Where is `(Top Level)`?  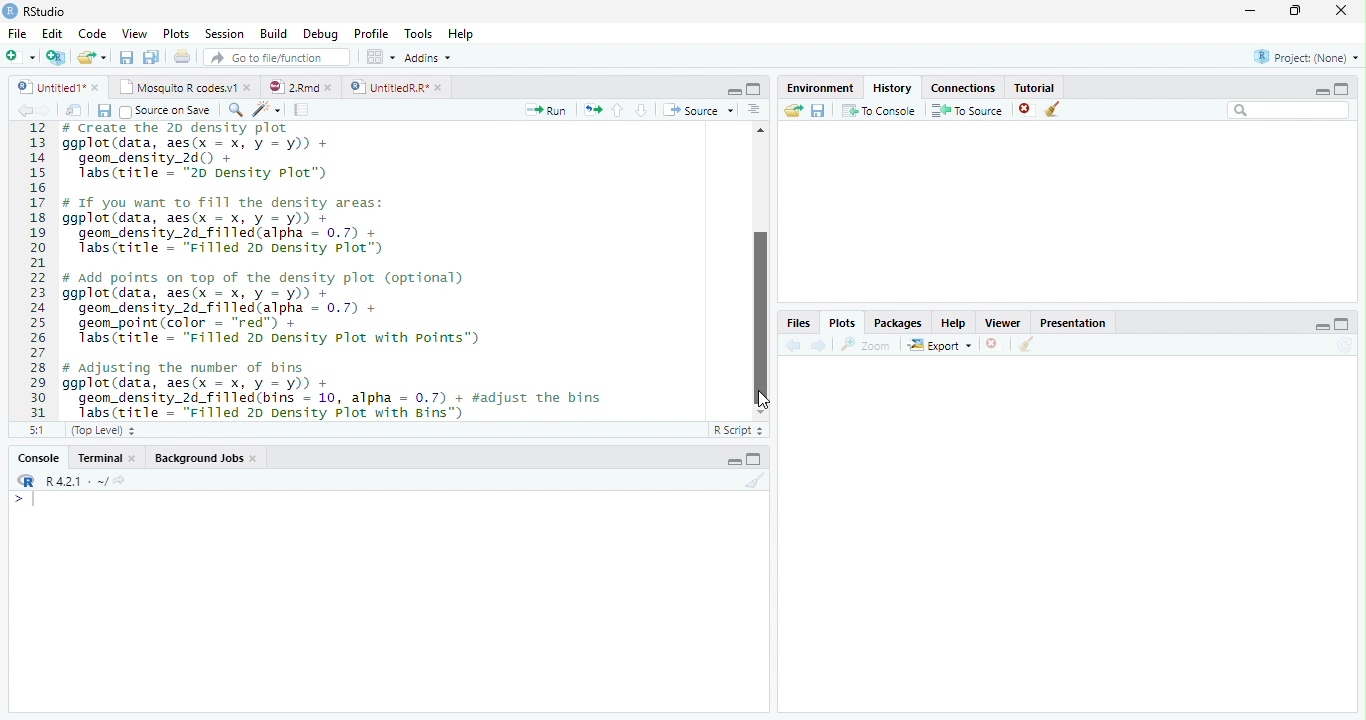
(Top Level) is located at coordinates (101, 431).